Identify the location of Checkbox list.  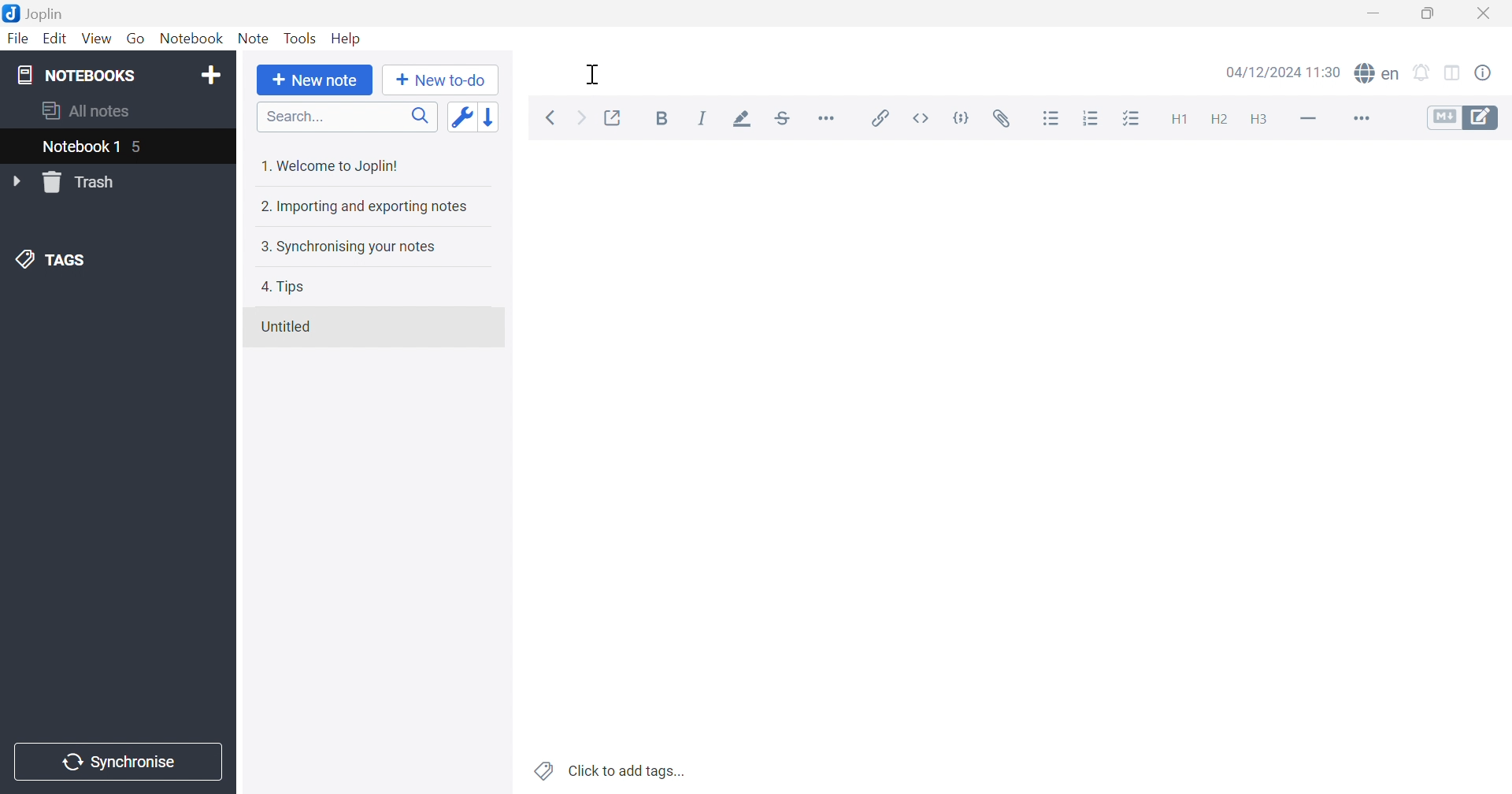
(1135, 120).